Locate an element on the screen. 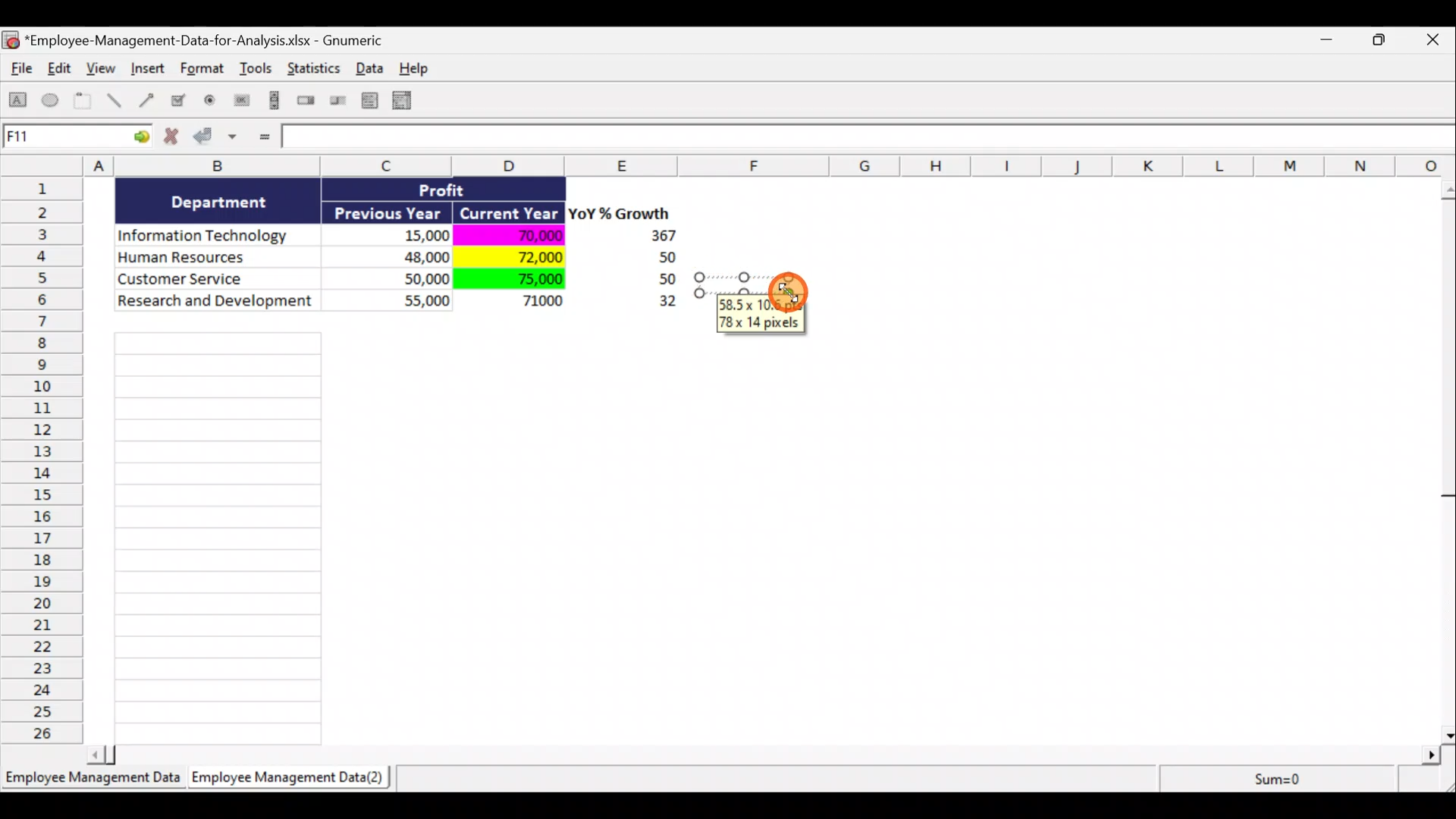 The image size is (1456, 819). Create an ellipse object is located at coordinates (51, 101).